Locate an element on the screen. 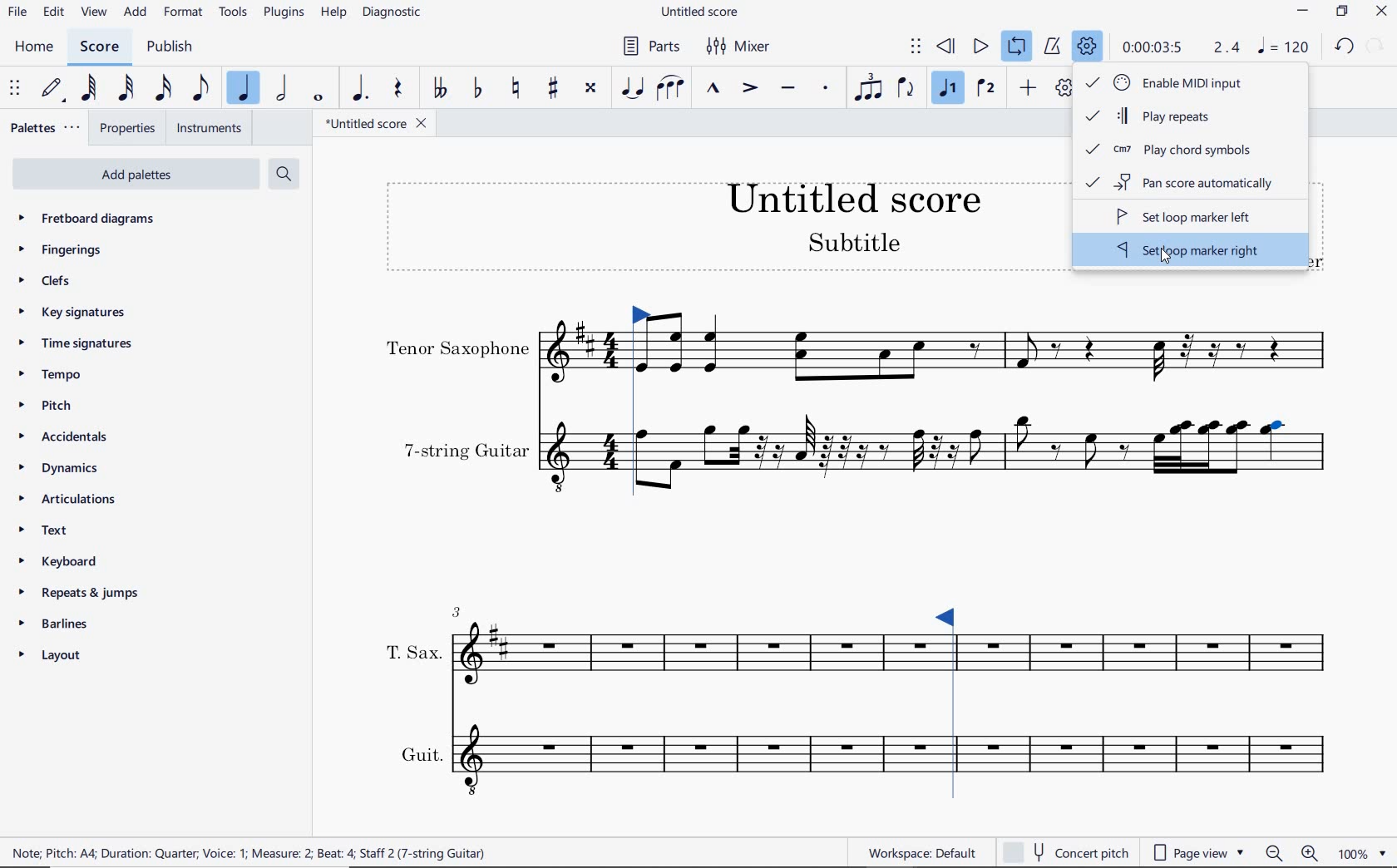  FILE NAME is located at coordinates (703, 11).